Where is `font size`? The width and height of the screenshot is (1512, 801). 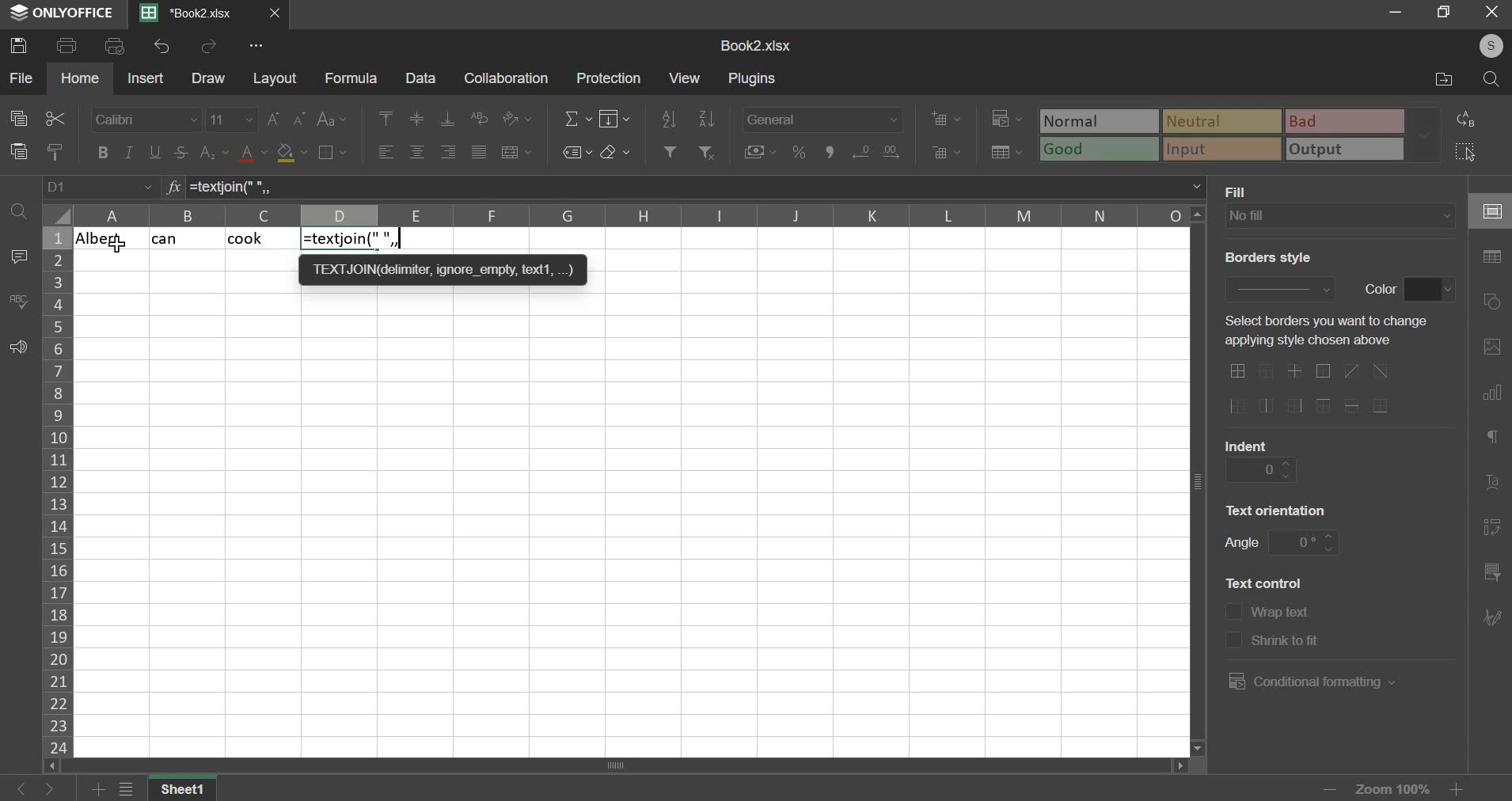 font size is located at coordinates (232, 119).